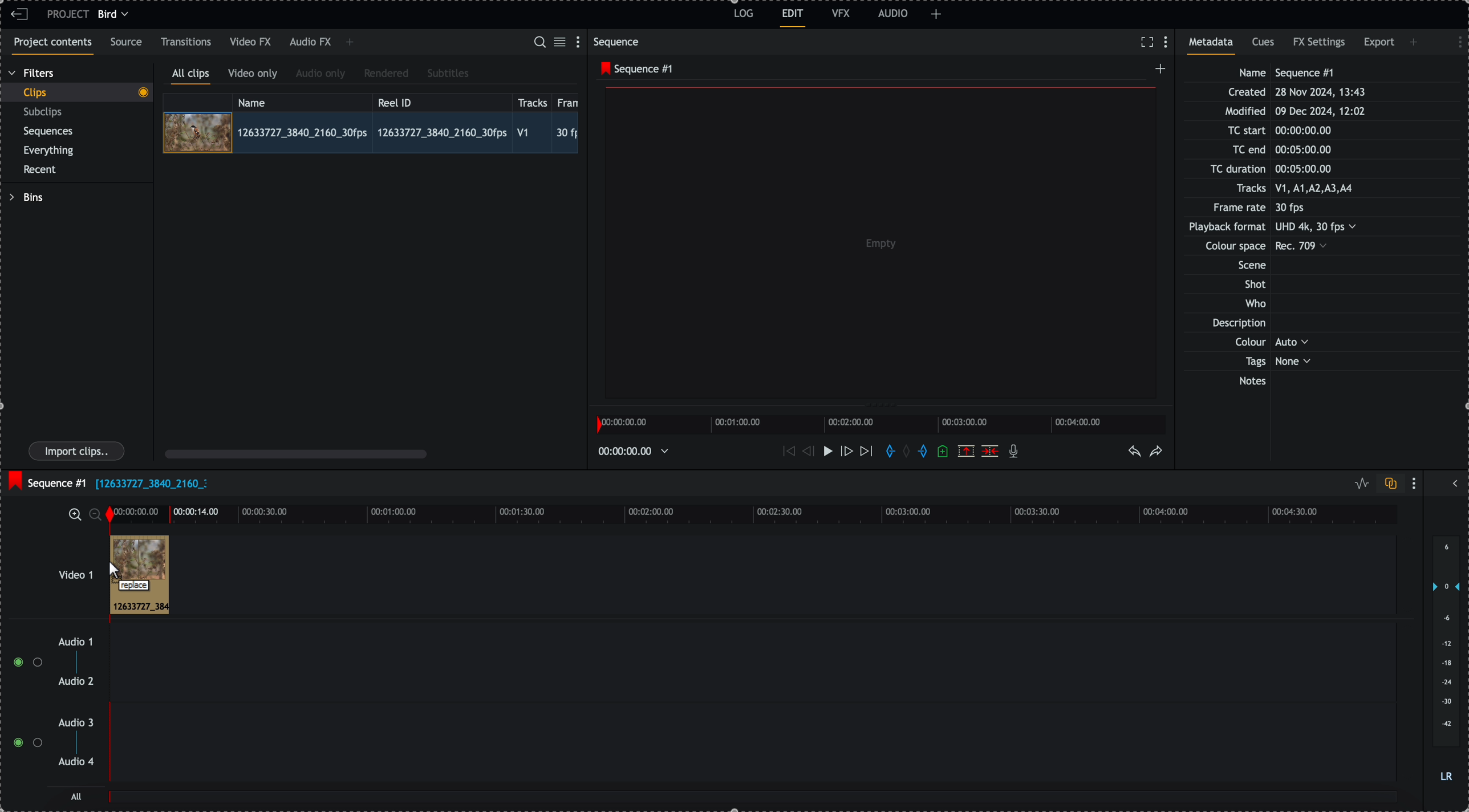 The height and width of the screenshot is (812, 1469). Describe the element at coordinates (1445, 660) in the screenshot. I see `audio output level (d/B)` at that location.